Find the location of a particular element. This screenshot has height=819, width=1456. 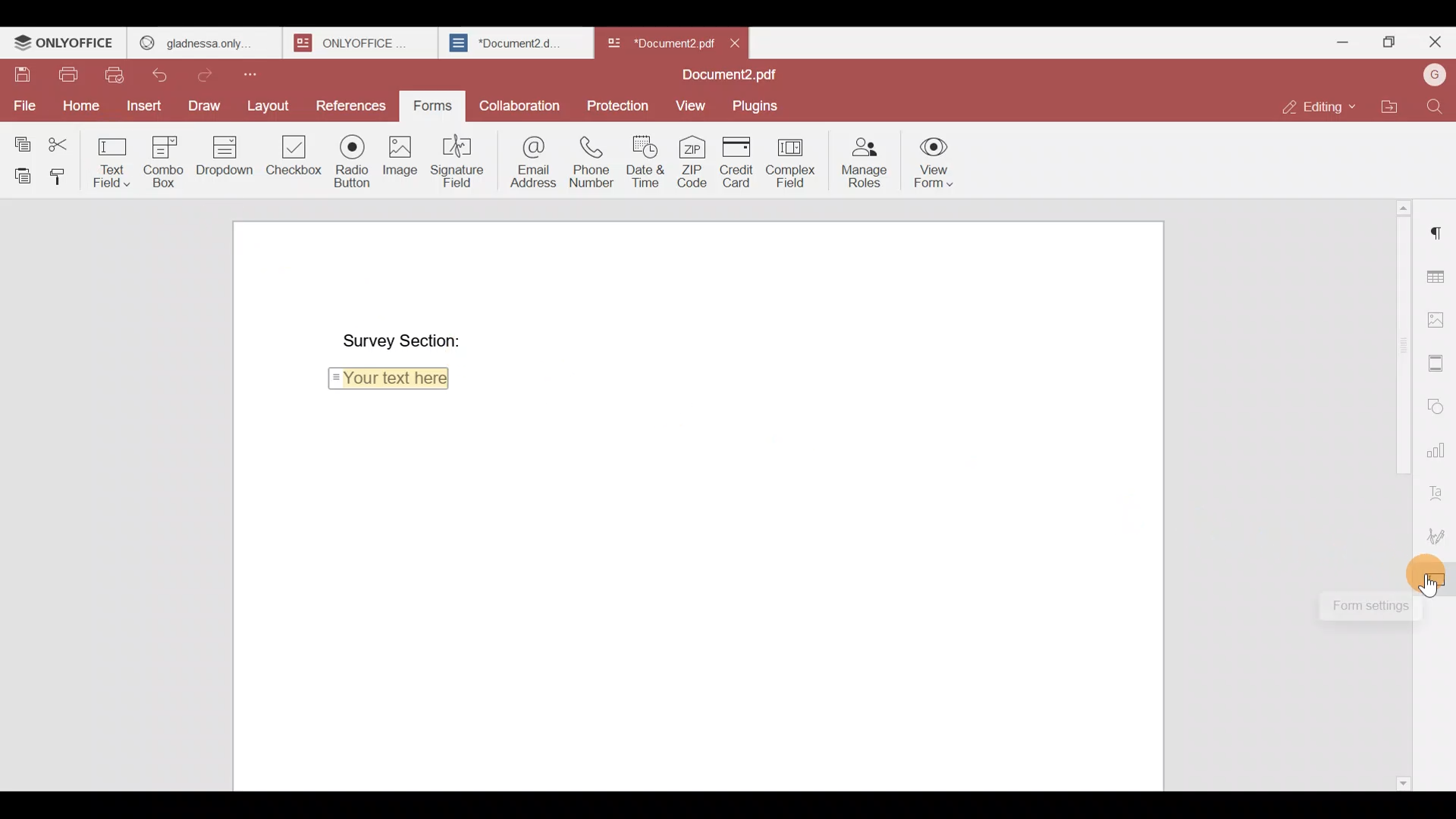

Redo is located at coordinates (210, 73).